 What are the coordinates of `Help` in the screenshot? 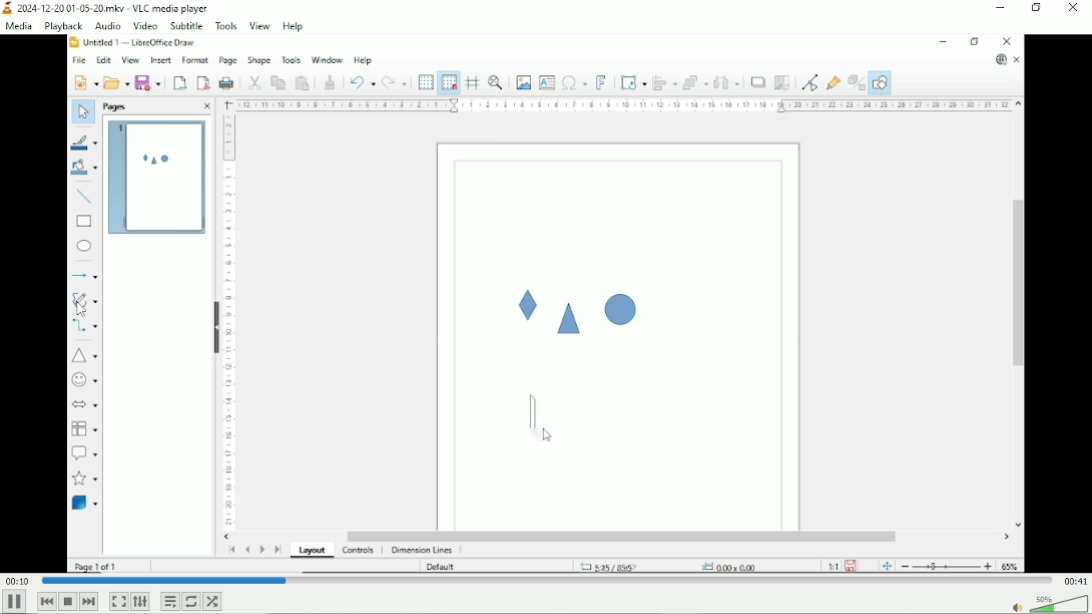 It's located at (293, 25).